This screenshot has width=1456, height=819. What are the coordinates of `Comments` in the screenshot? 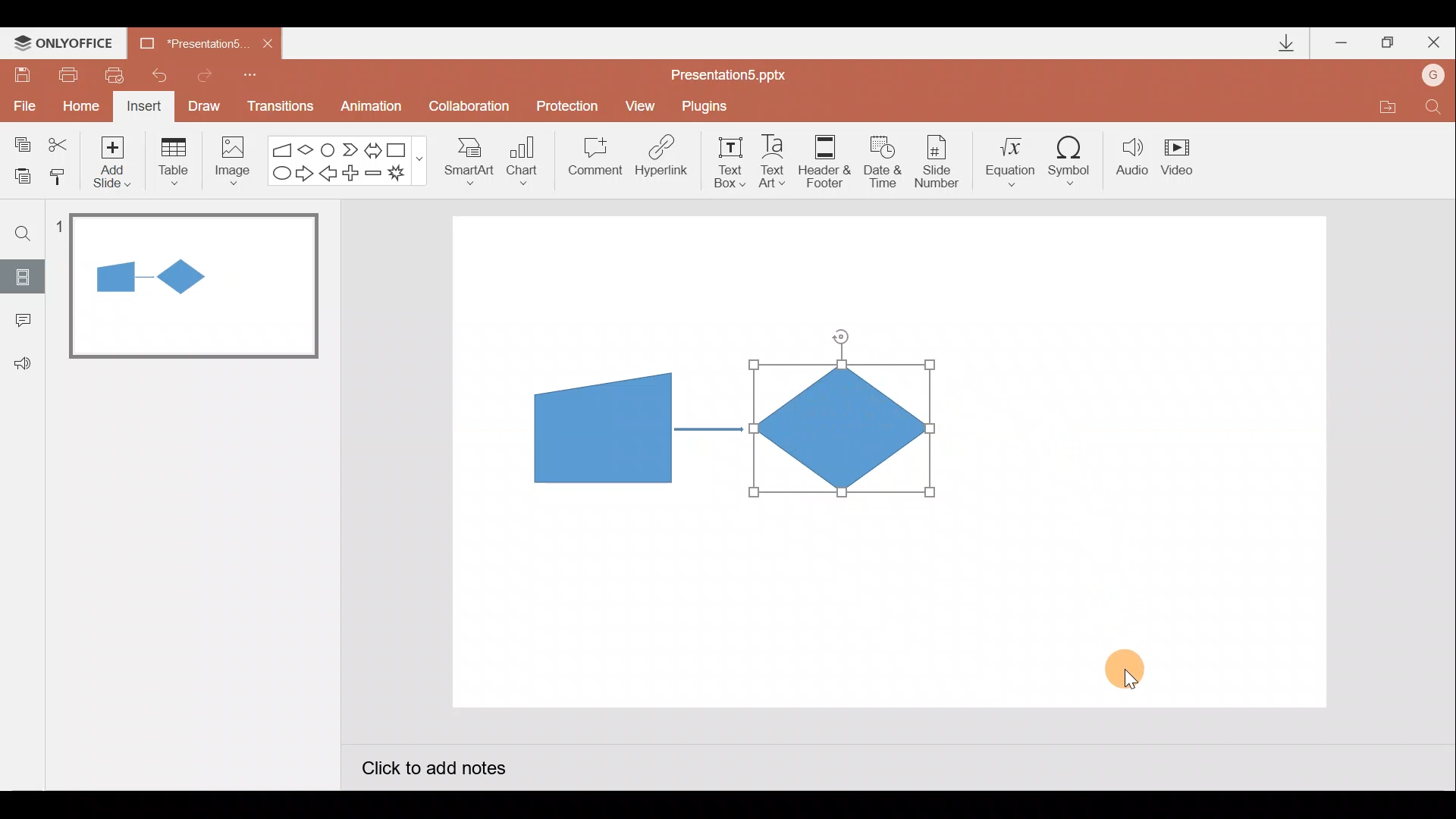 It's located at (19, 322).